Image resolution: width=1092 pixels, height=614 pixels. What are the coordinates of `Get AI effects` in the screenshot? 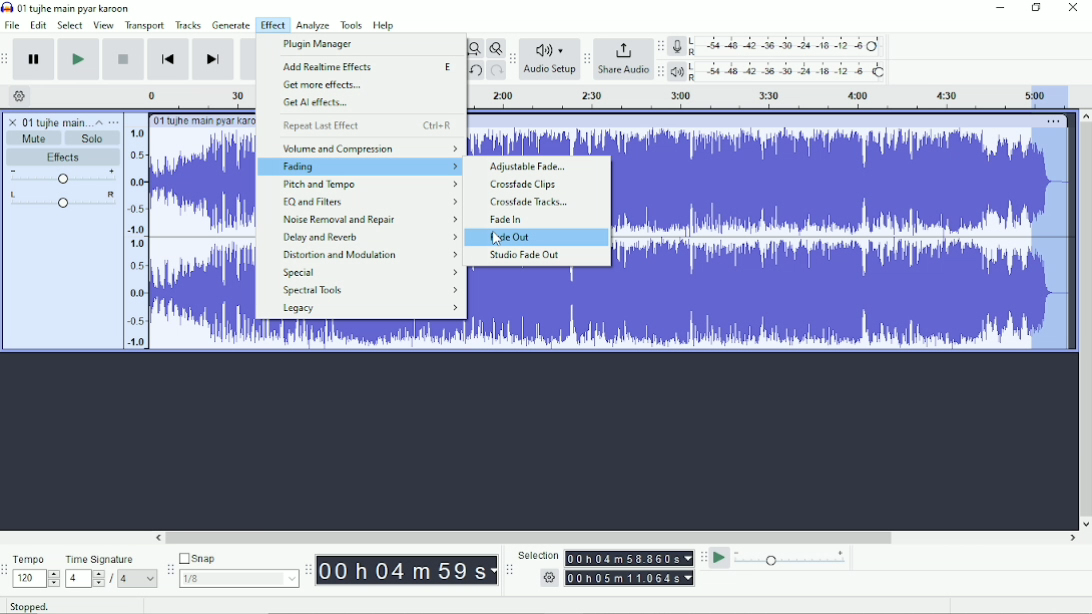 It's located at (320, 102).